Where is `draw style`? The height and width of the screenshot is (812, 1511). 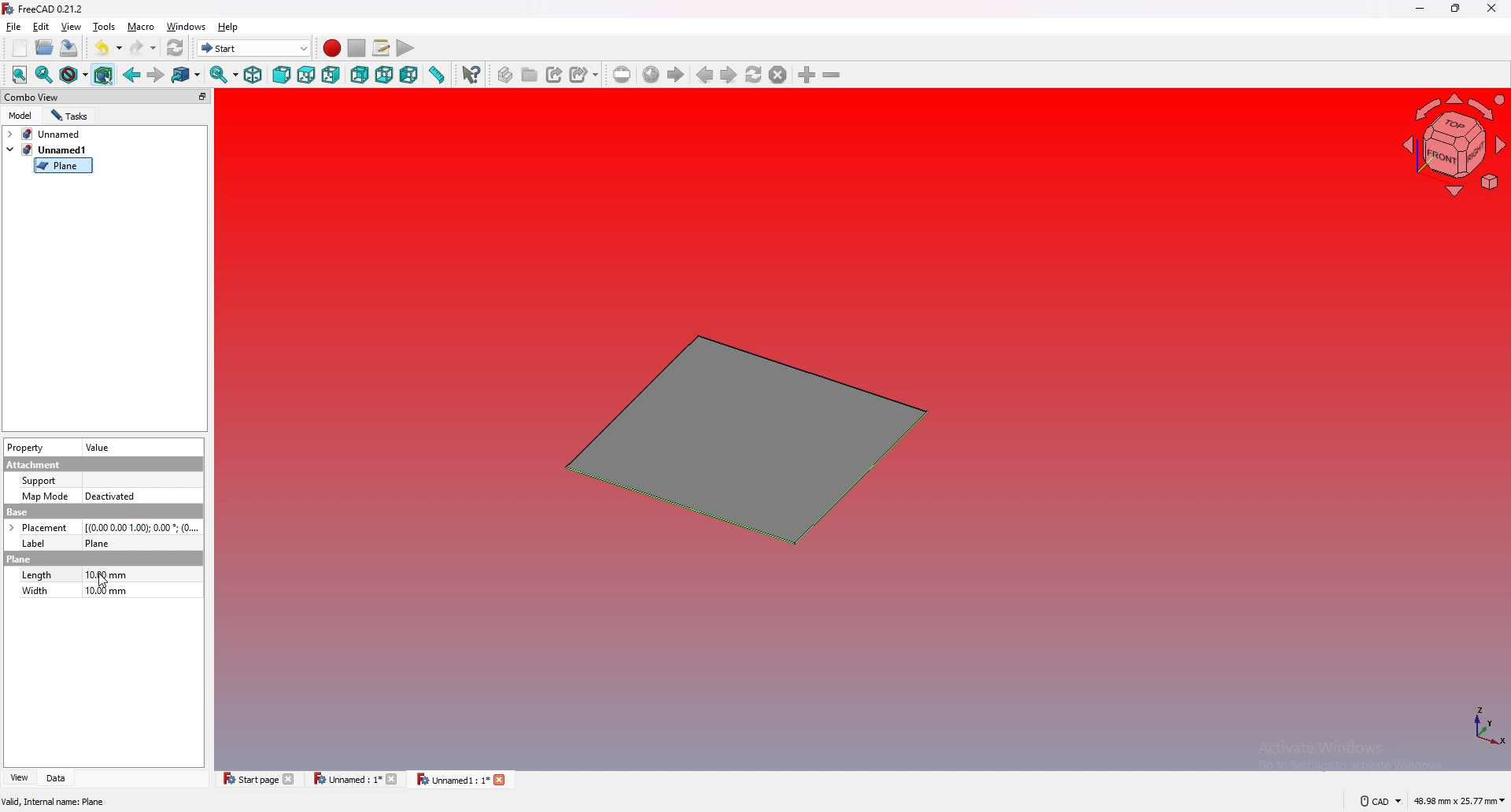 draw style is located at coordinates (74, 75).